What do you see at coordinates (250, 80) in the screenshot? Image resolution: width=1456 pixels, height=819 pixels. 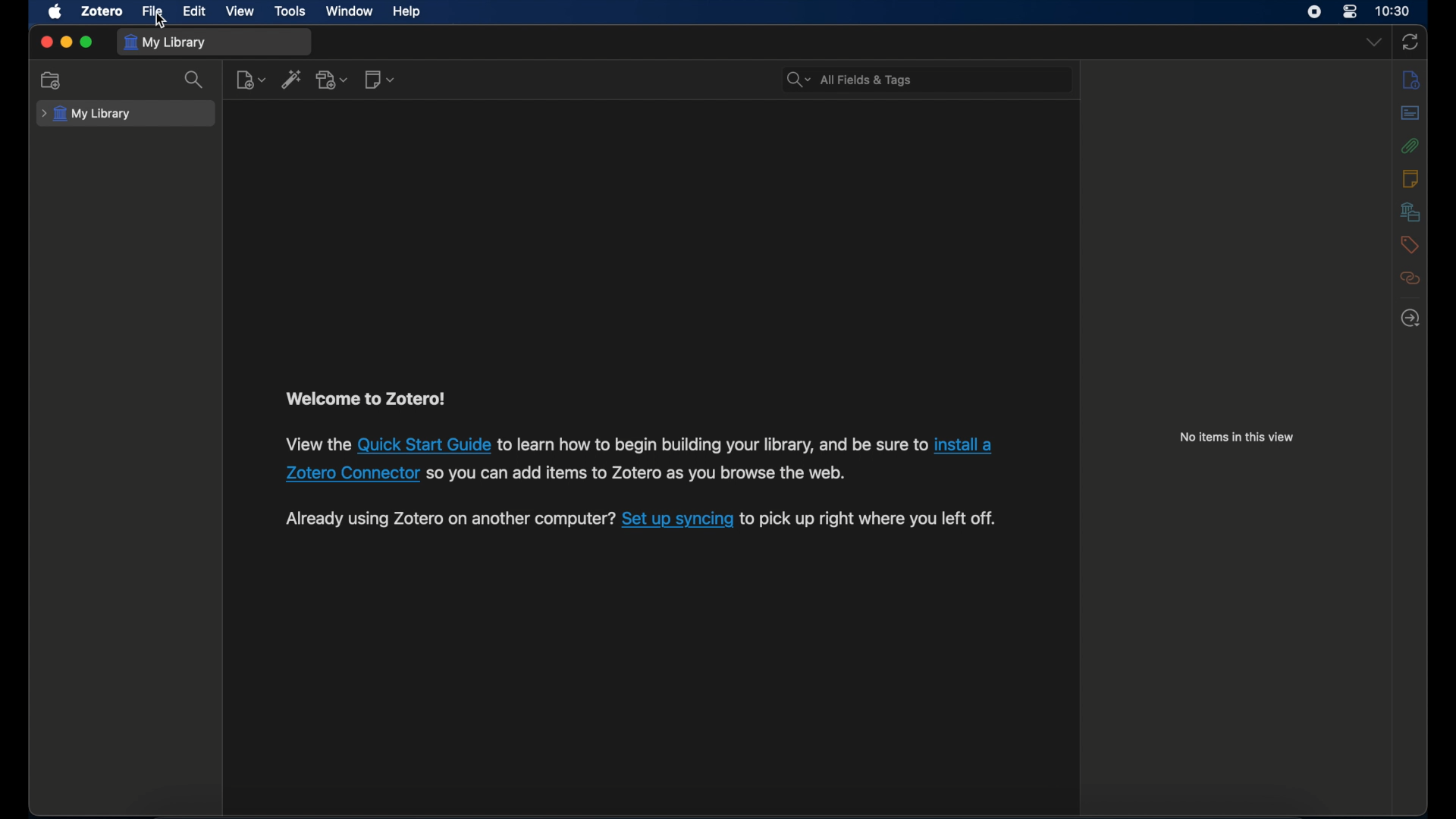 I see `new item` at bounding box center [250, 80].